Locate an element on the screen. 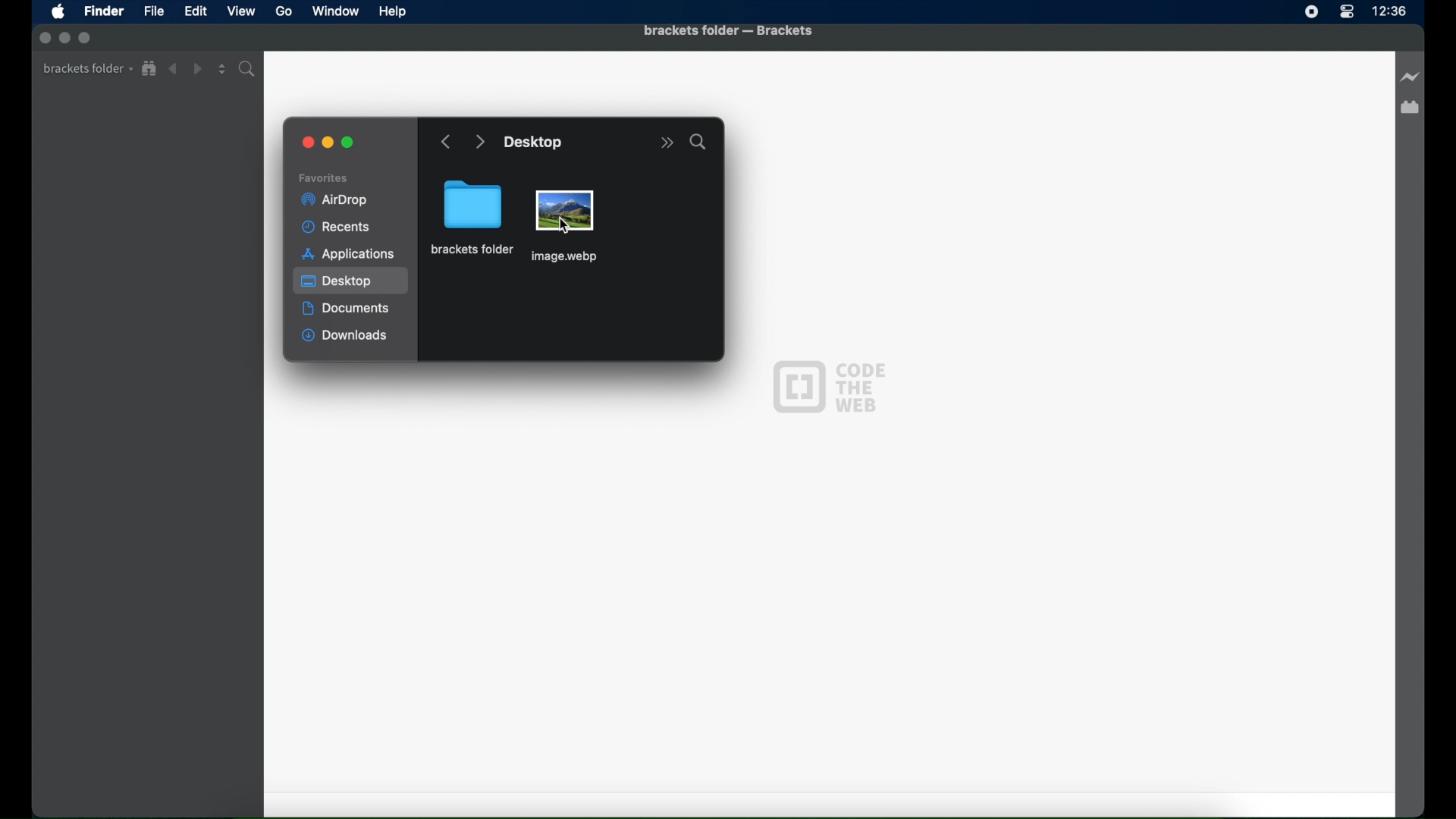  apple icon is located at coordinates (58, 13).